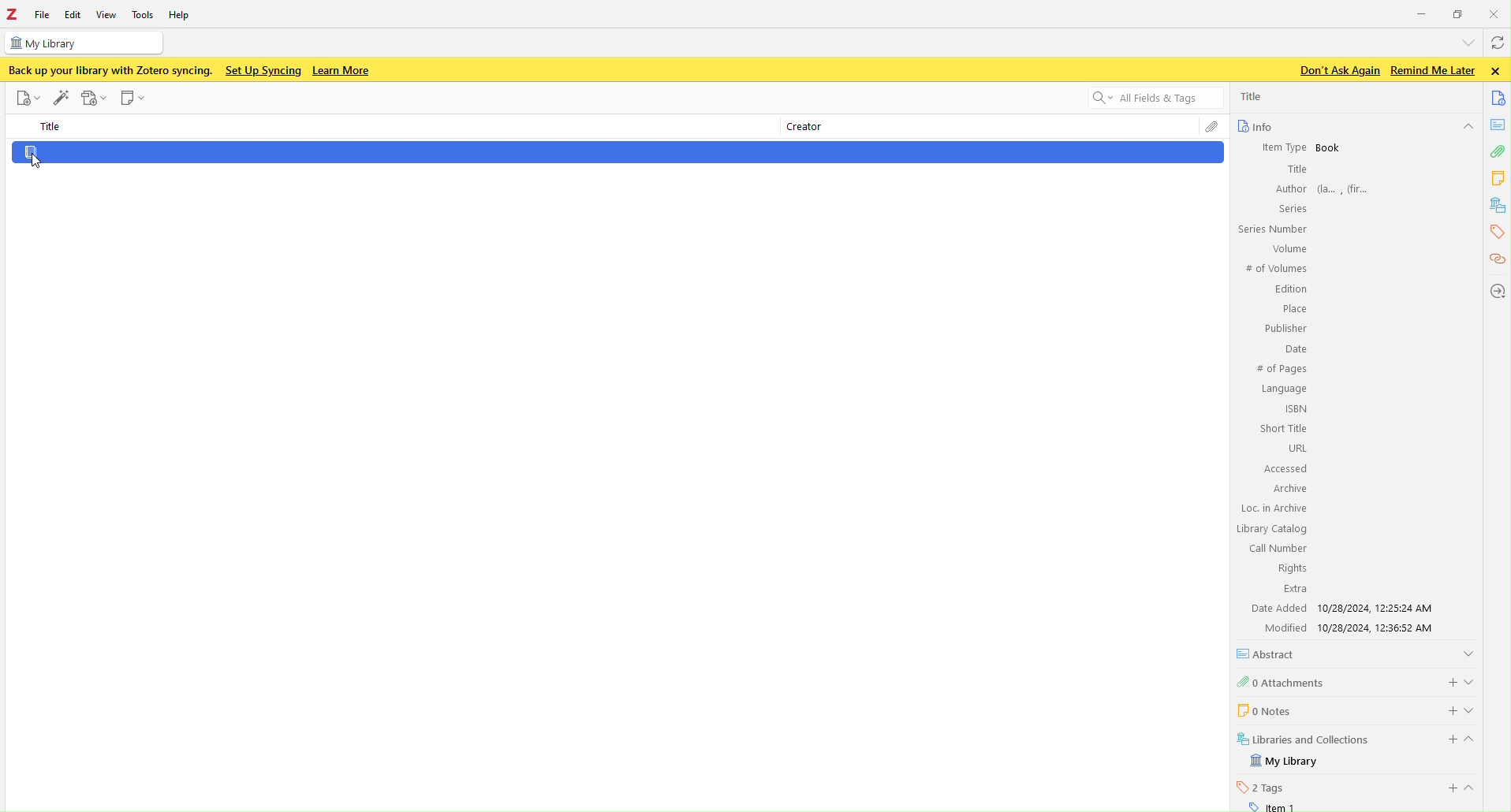  I want to click on creator, so click(804, 129).